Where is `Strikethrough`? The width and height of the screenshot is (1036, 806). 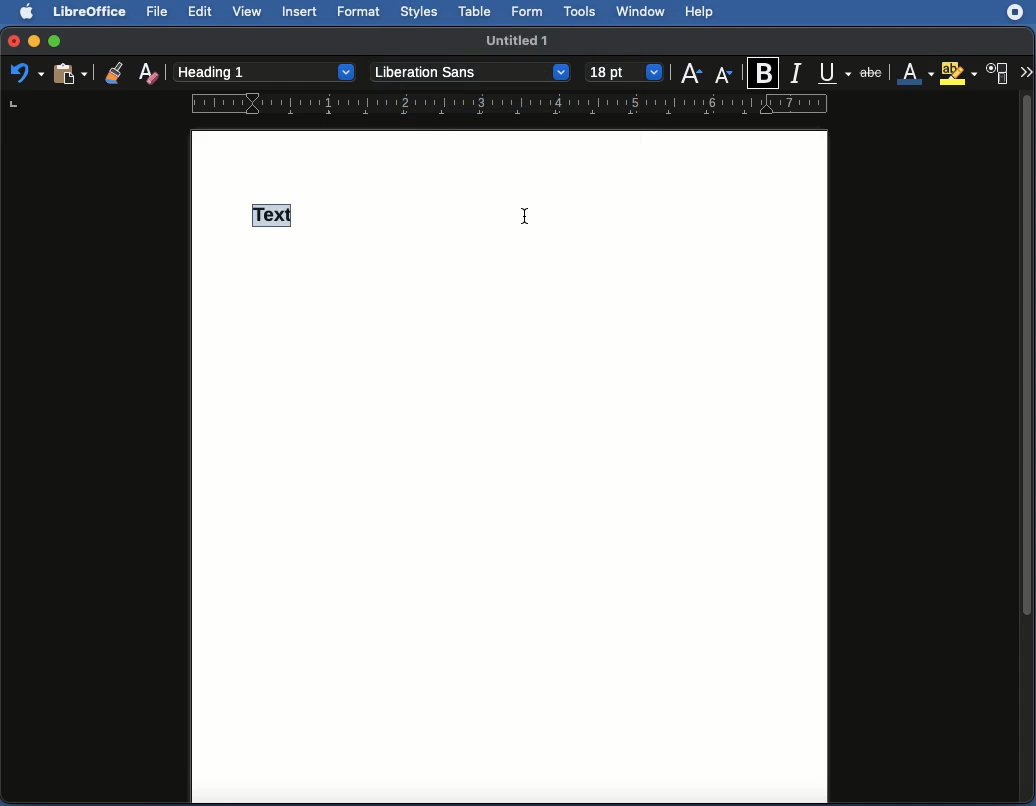
Strikethrough is located at coordinates (872, 72).